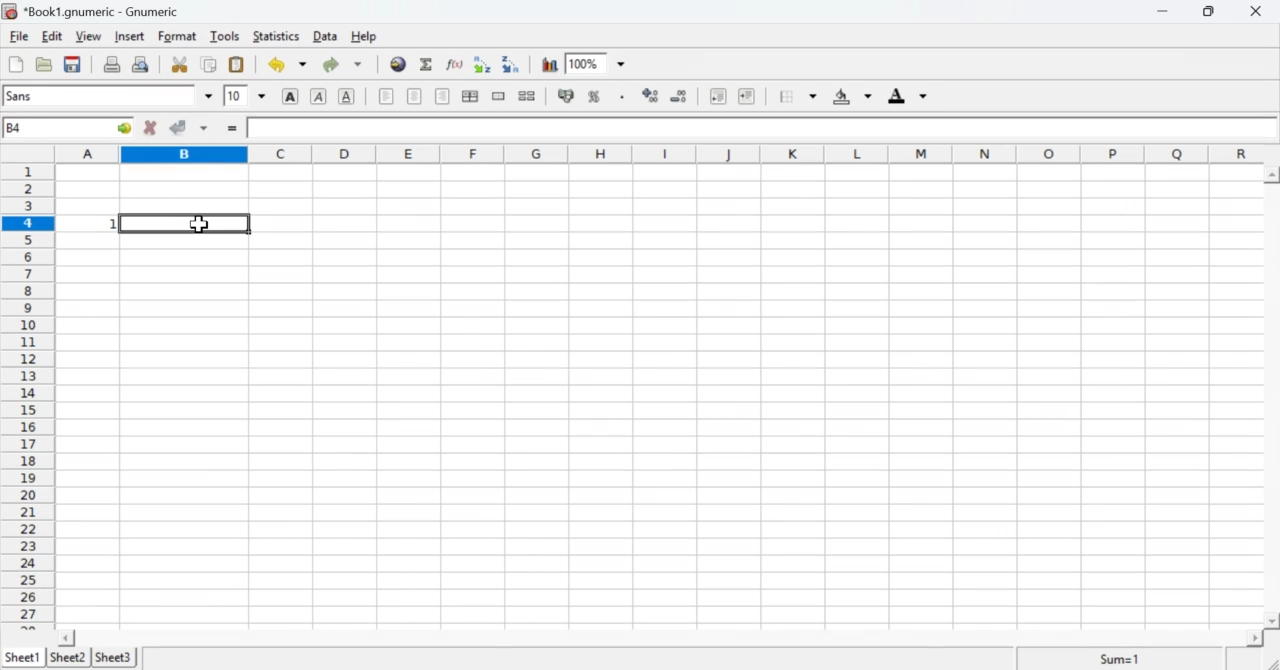 Image resolution: width=1280 pixels, height=670 pixels. Describe the element at coordinates (1258, 12) in the screenshot. I see `Cross` at that location.